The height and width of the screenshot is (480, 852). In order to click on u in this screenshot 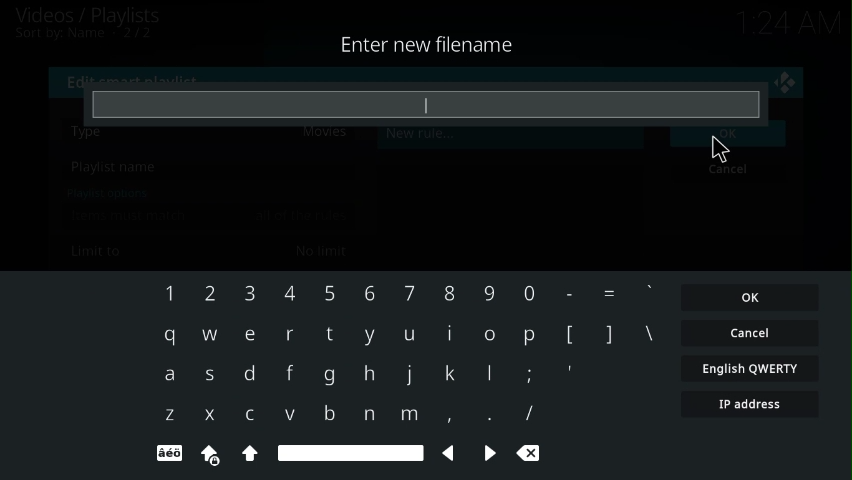, I will do `click(410, 334)`.